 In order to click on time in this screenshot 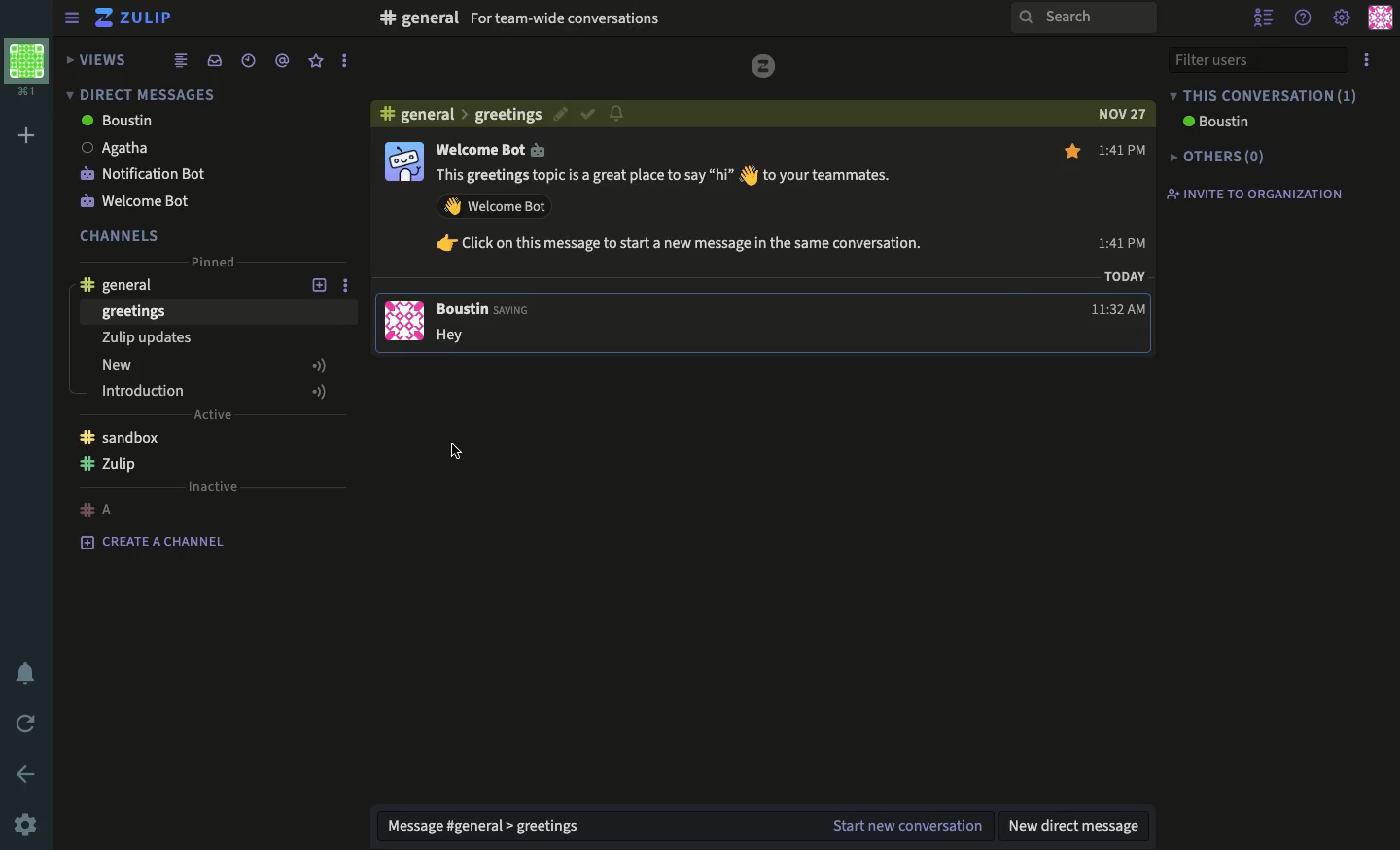, I will do `click(249, 60)`.